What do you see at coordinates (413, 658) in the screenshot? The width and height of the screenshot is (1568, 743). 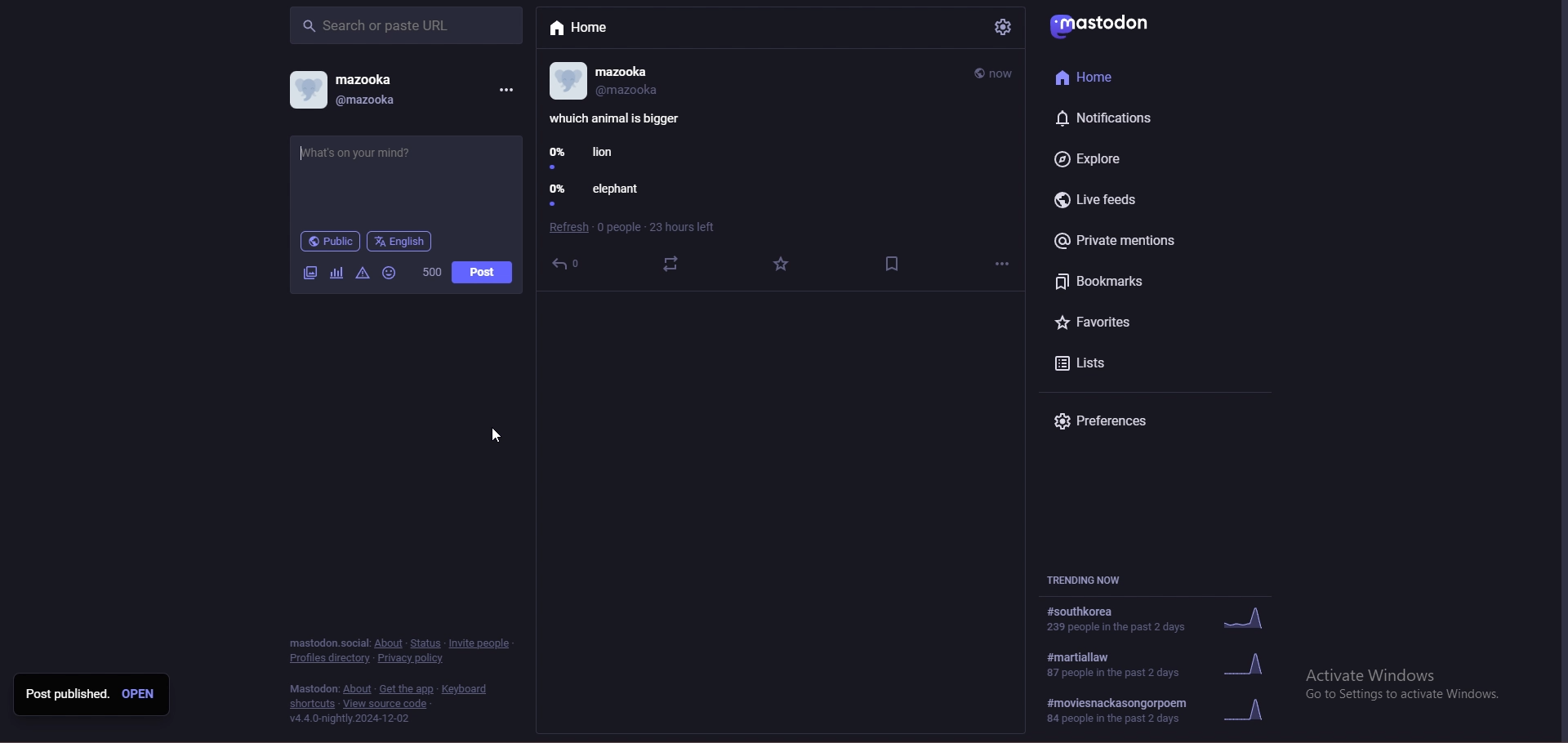 I see `privacy policy` at bounding box center [413, 658].